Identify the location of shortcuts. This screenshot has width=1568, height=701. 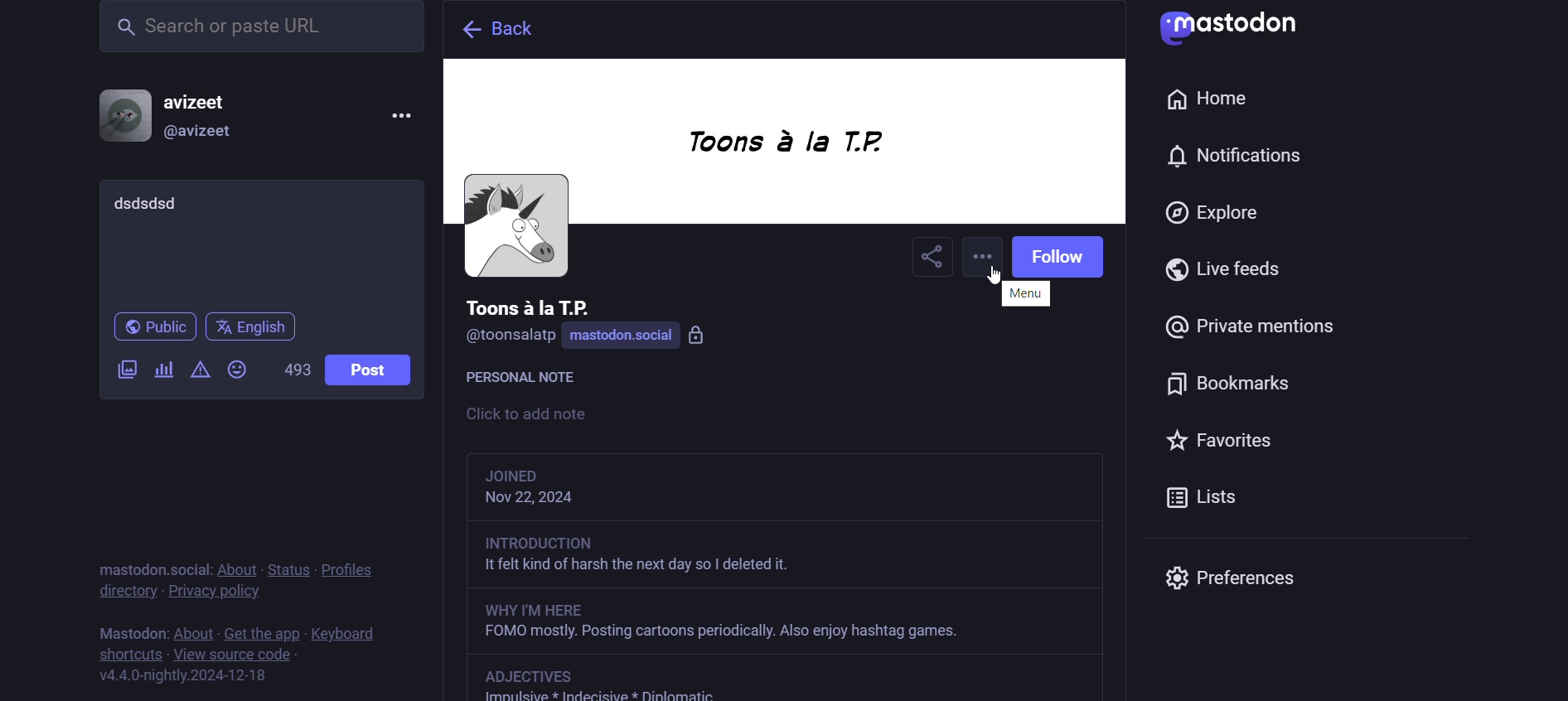
(127, 652).